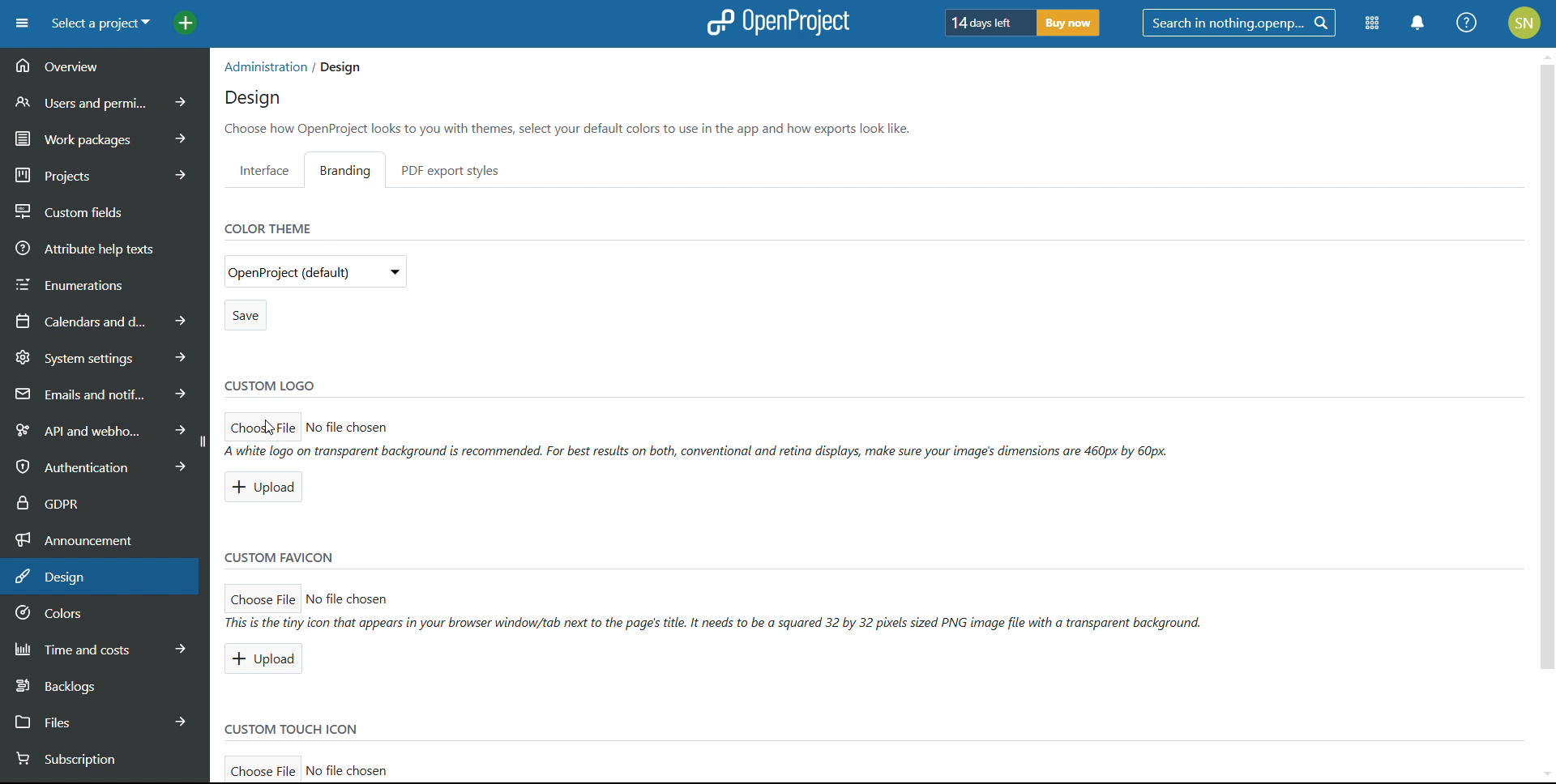 The height and width of the screenshot is (784, 1556). What do you see at coordinates (270, 384) in the screenshot?
I see `custom logo` at bounding box center [270, 384].